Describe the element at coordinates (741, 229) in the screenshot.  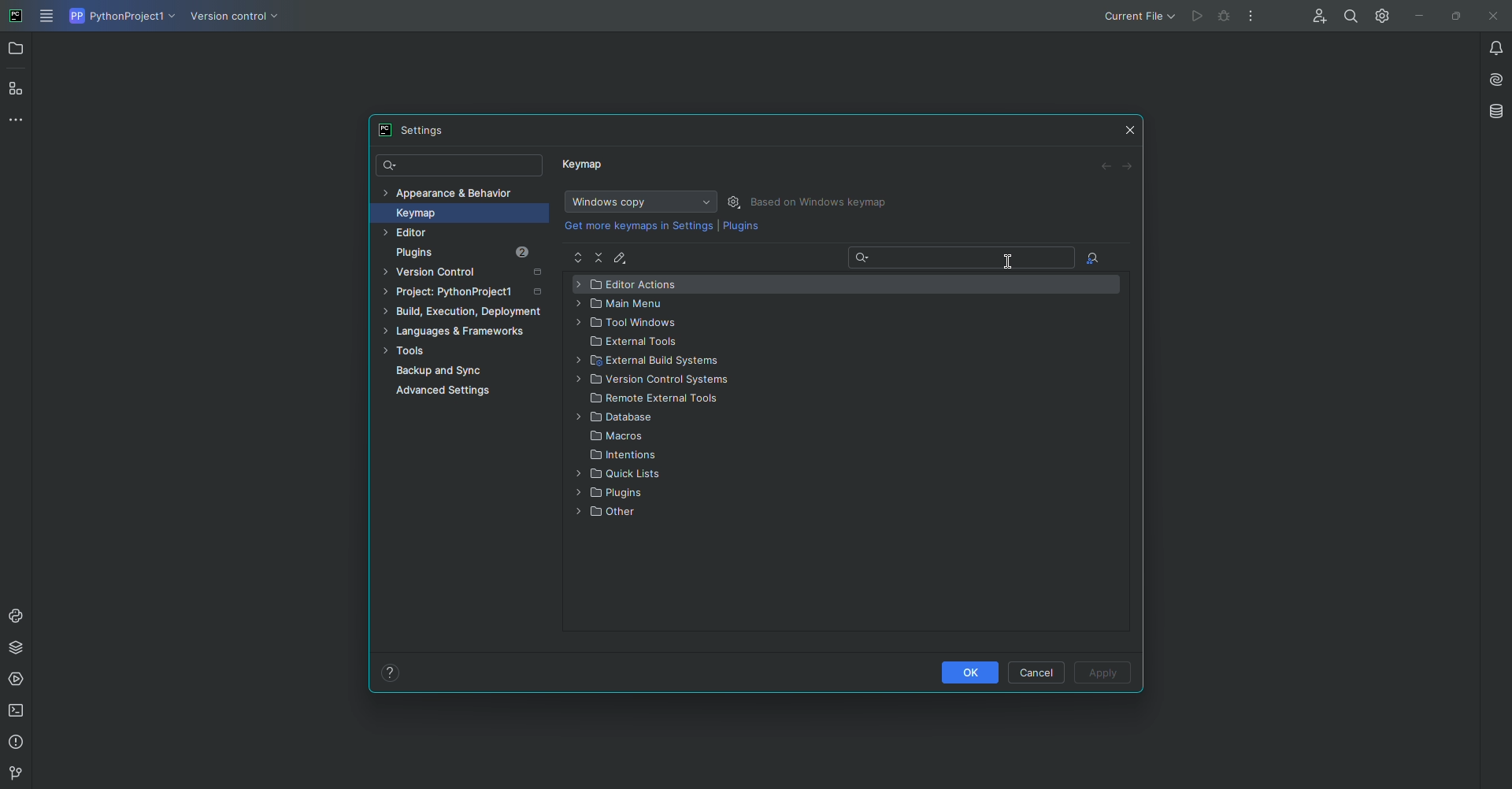
I see `Plugins` at that location.